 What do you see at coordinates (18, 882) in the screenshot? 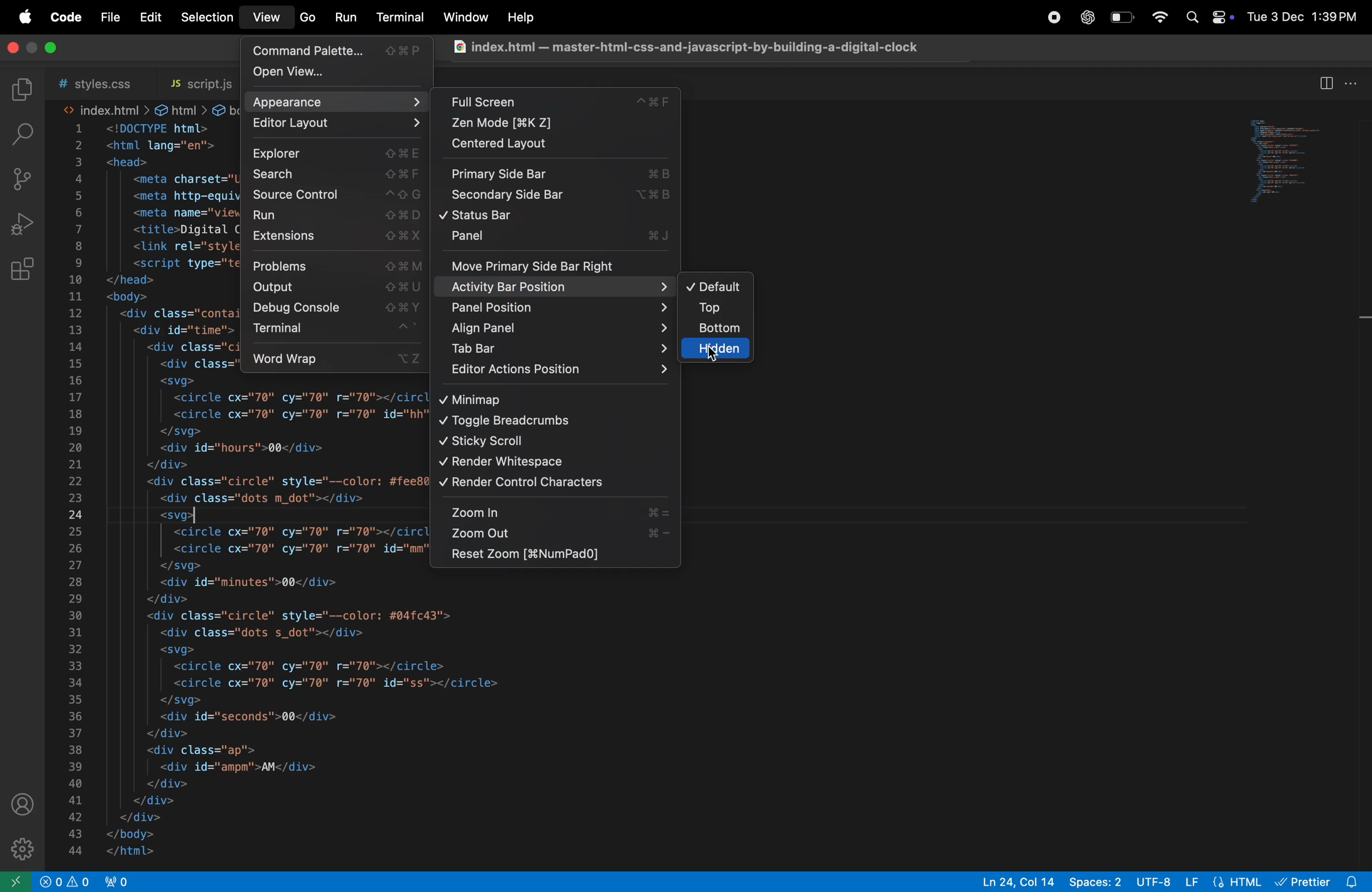
I see `open remote window` at bounding box center [18, 882].